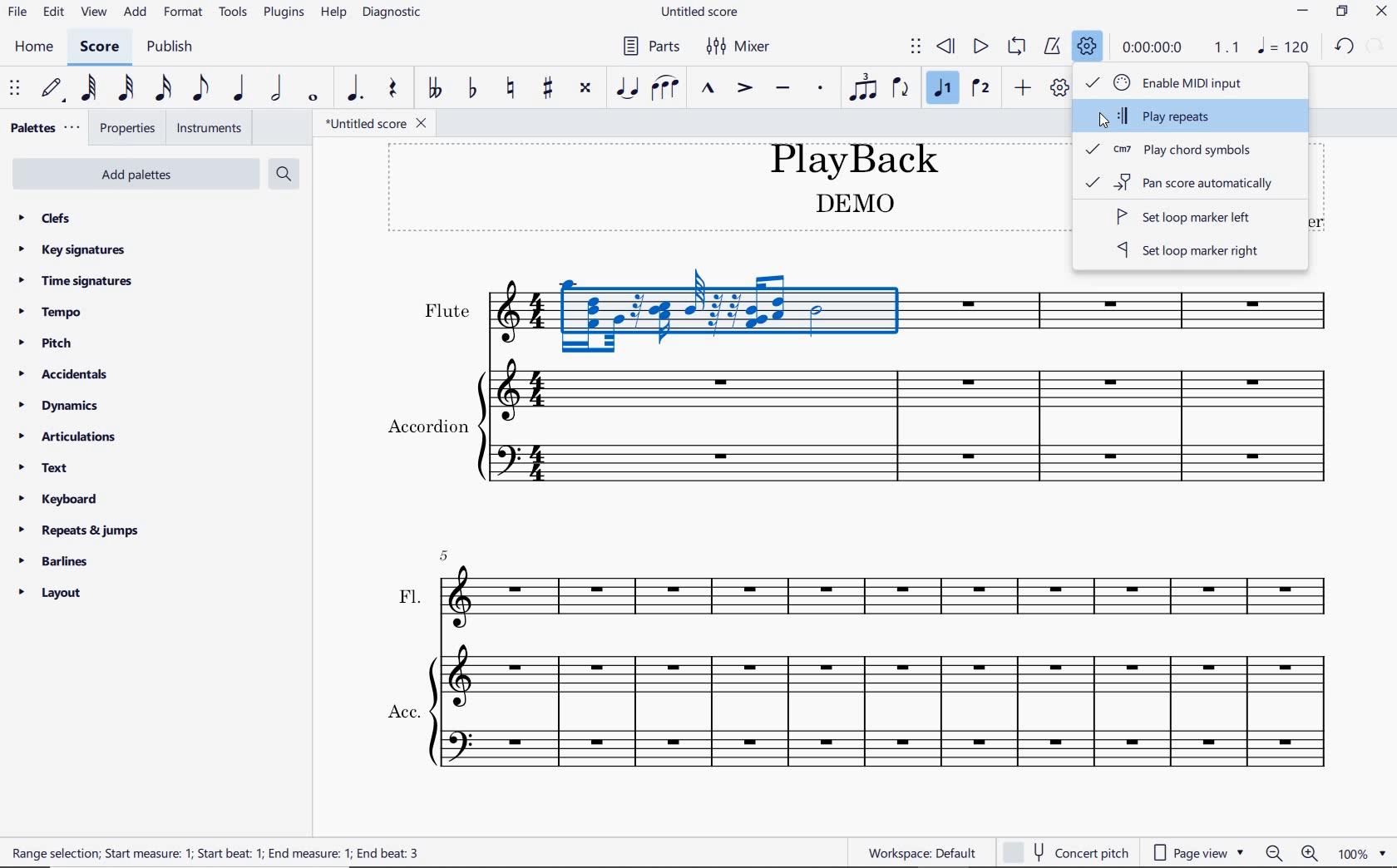 This screenshot has width=1397, height=868. What do you see at coordinates (1212, 114) in the screenshot?
I see `play repeats` at bounding box center [1212, 114].